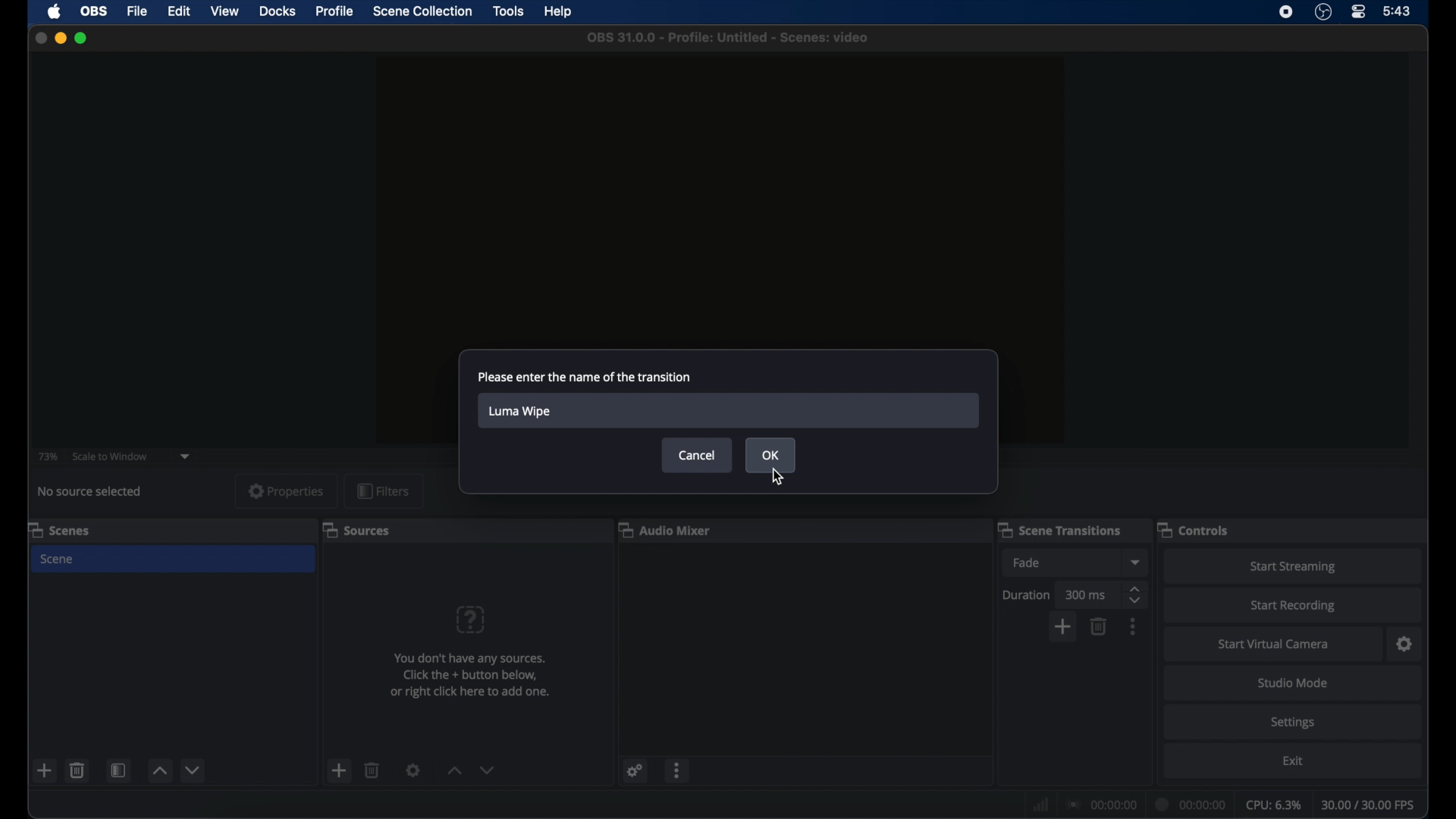 The height and width of the screenshot is (819, 1456). Describe the element at coordinates (1295, 761) in the screenshot. I see `exit` at that location.